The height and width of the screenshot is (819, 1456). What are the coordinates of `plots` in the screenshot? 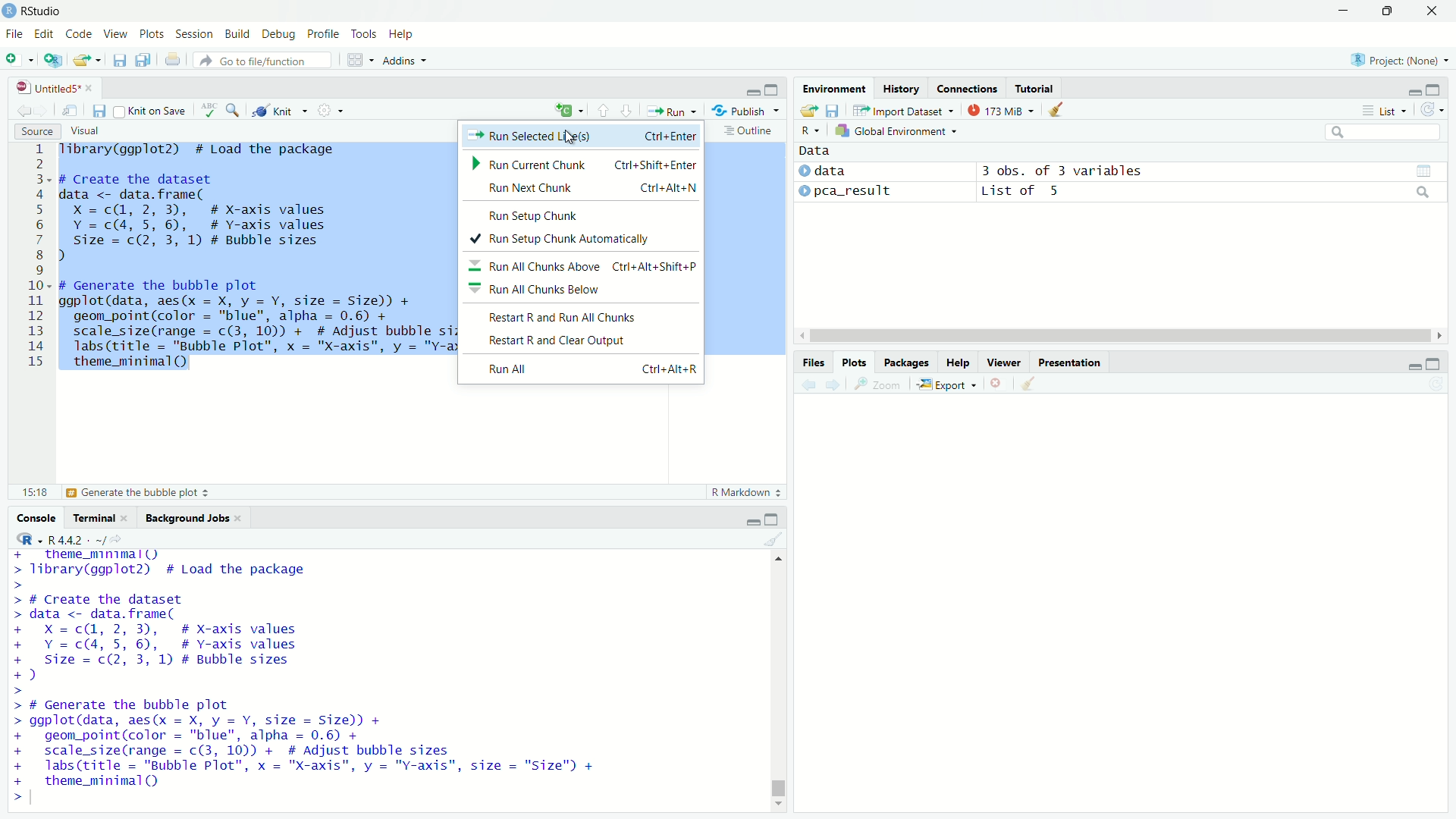 It's located at (152, 36).